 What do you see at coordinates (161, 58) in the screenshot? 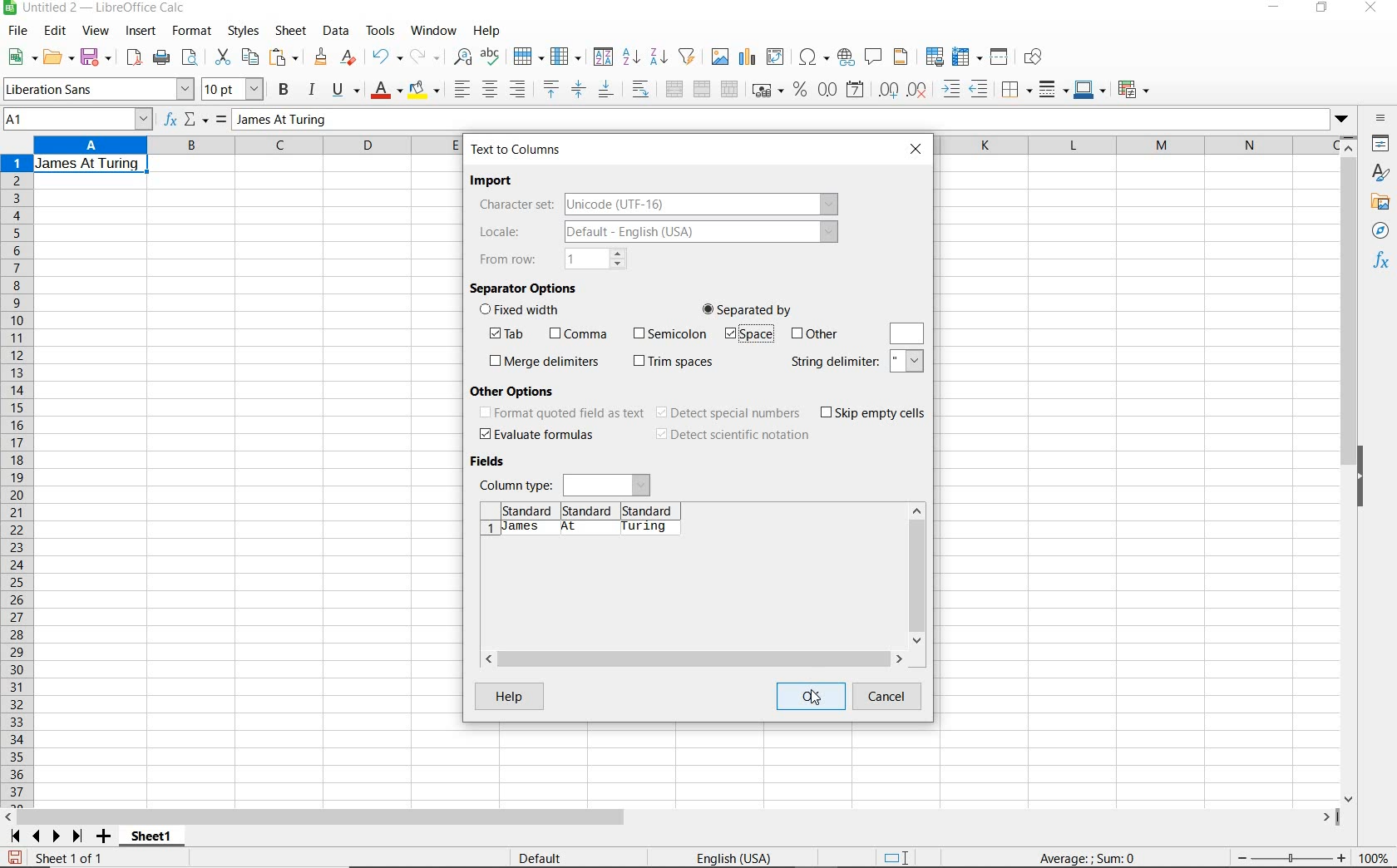
I see `print` at bounding box center [161, 58].